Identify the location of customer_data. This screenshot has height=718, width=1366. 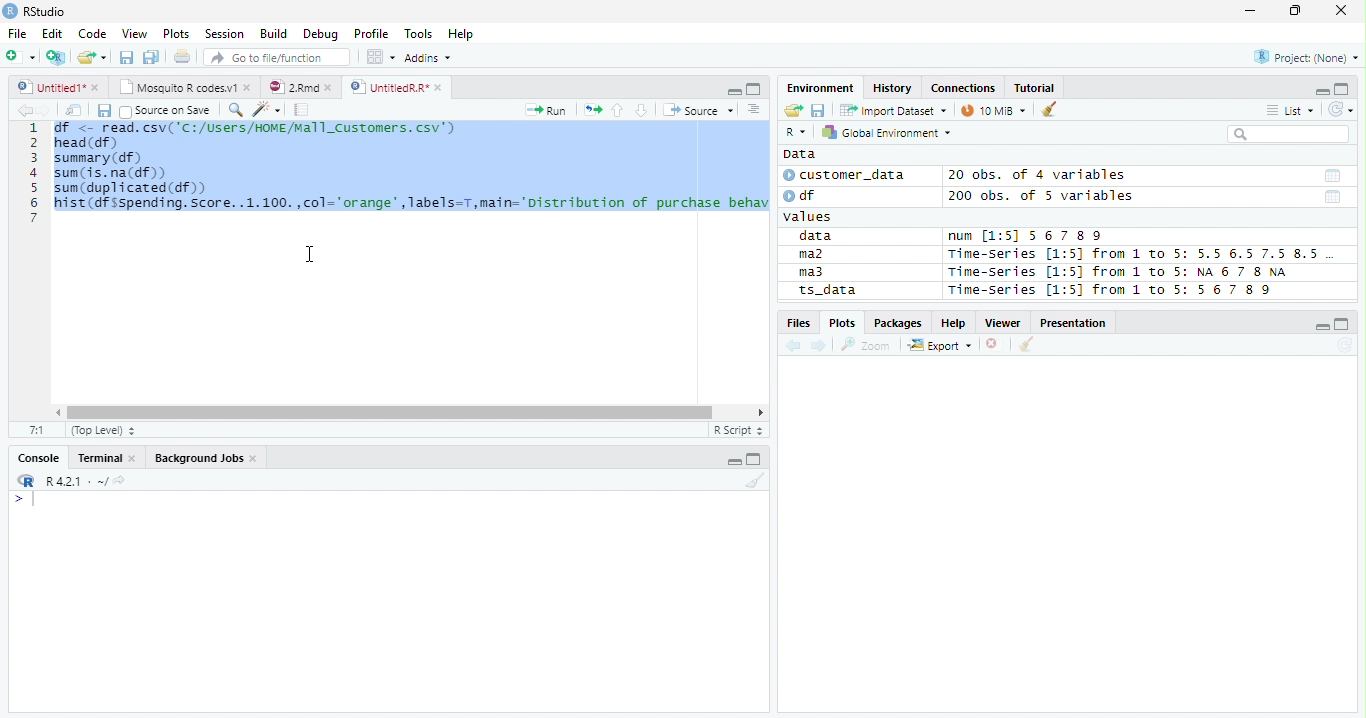
(848, 175).